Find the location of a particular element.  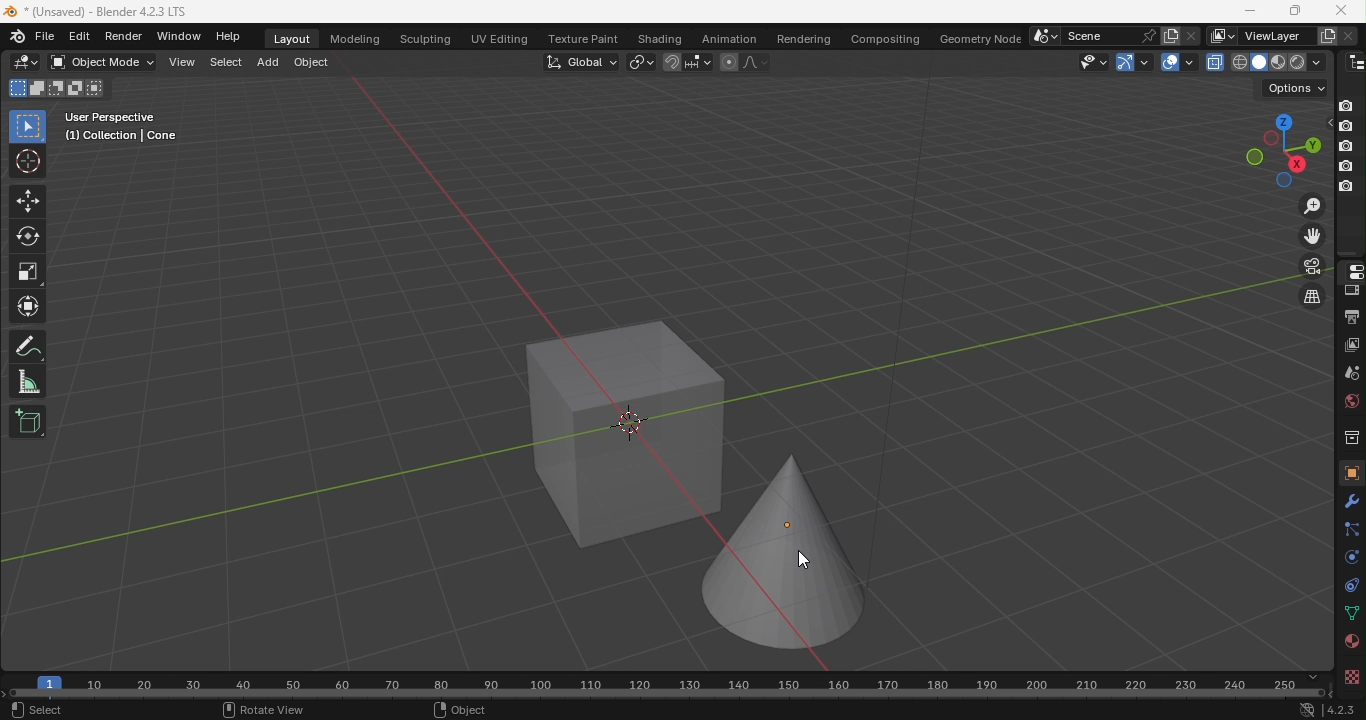

Rotate view is located at coordinates (261, 710).